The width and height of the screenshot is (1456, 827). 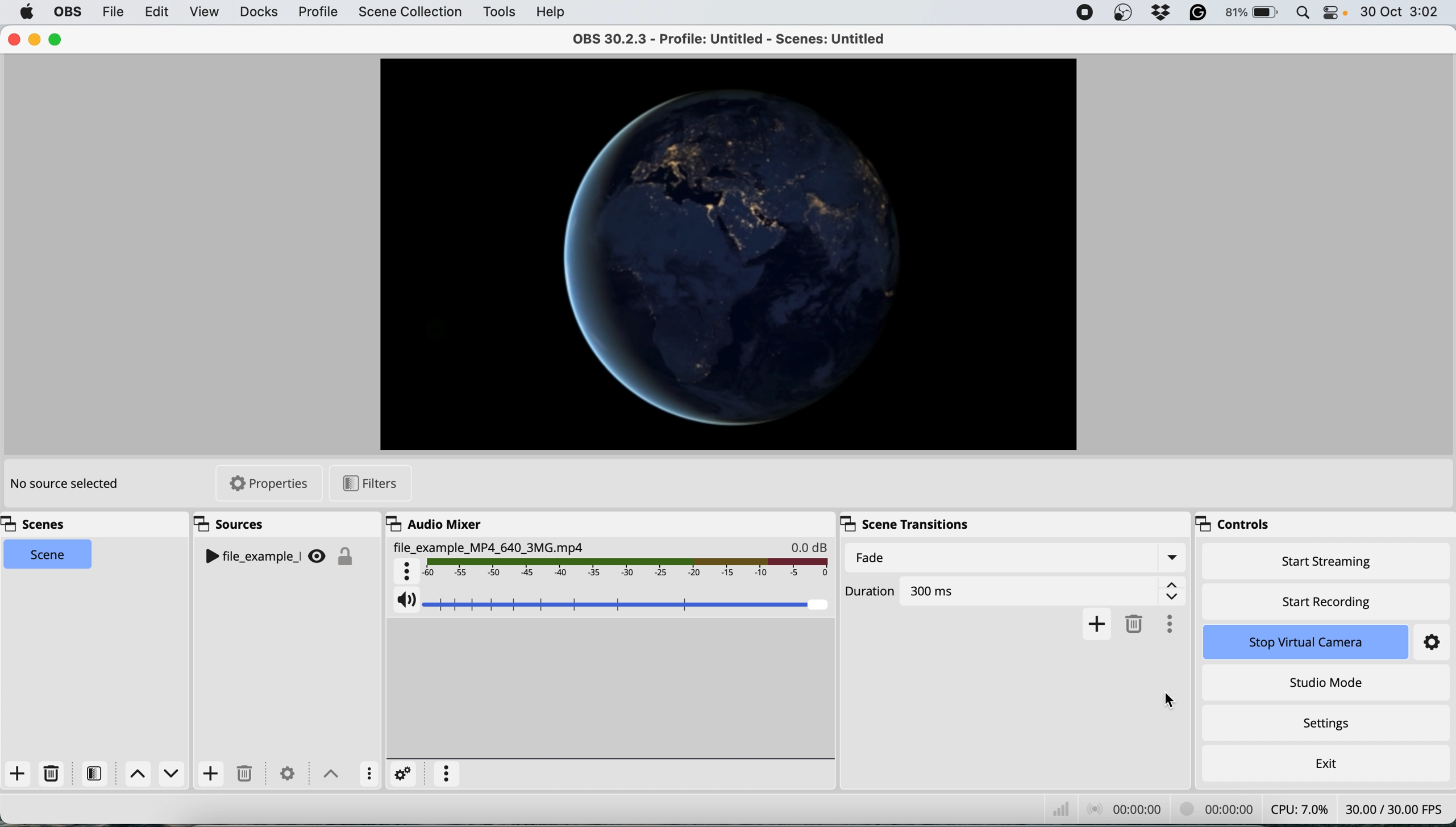 I want to click on view, so click(x=204, y=12).